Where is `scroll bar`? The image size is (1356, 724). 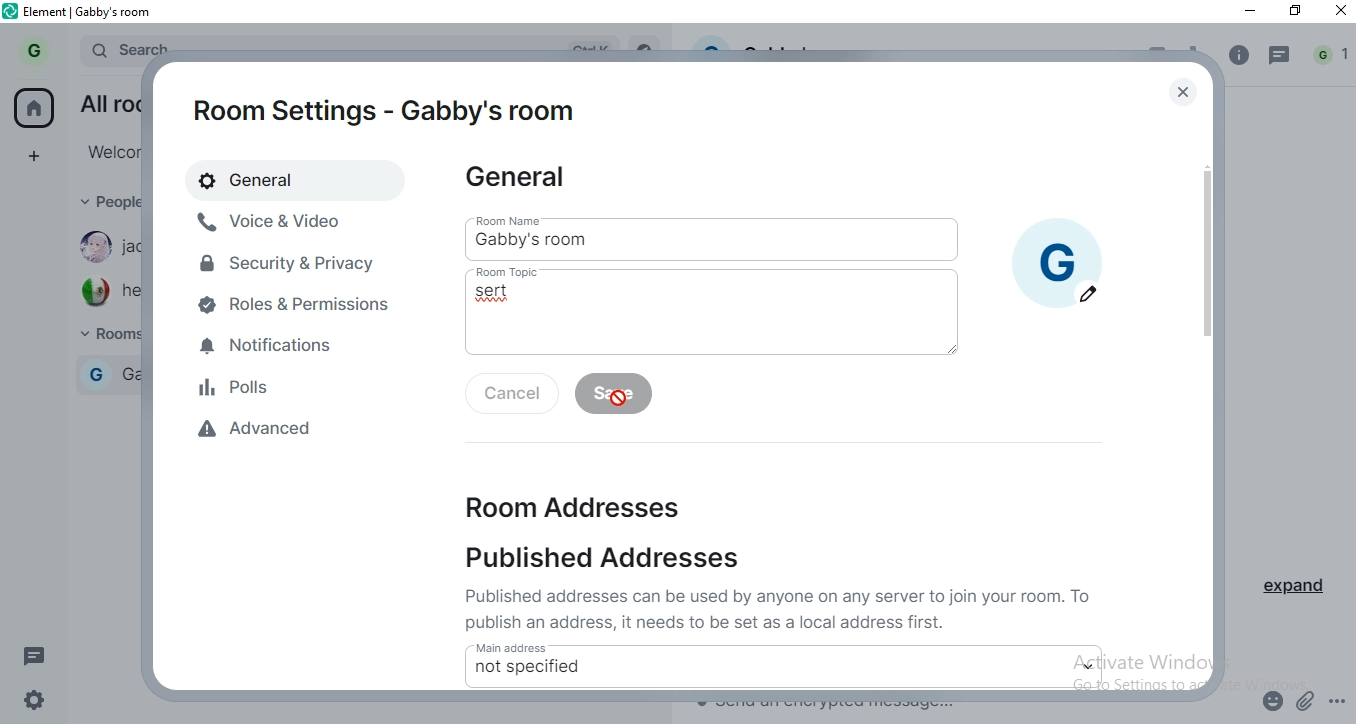
scroll bar is located at coordinates (1206, 284).